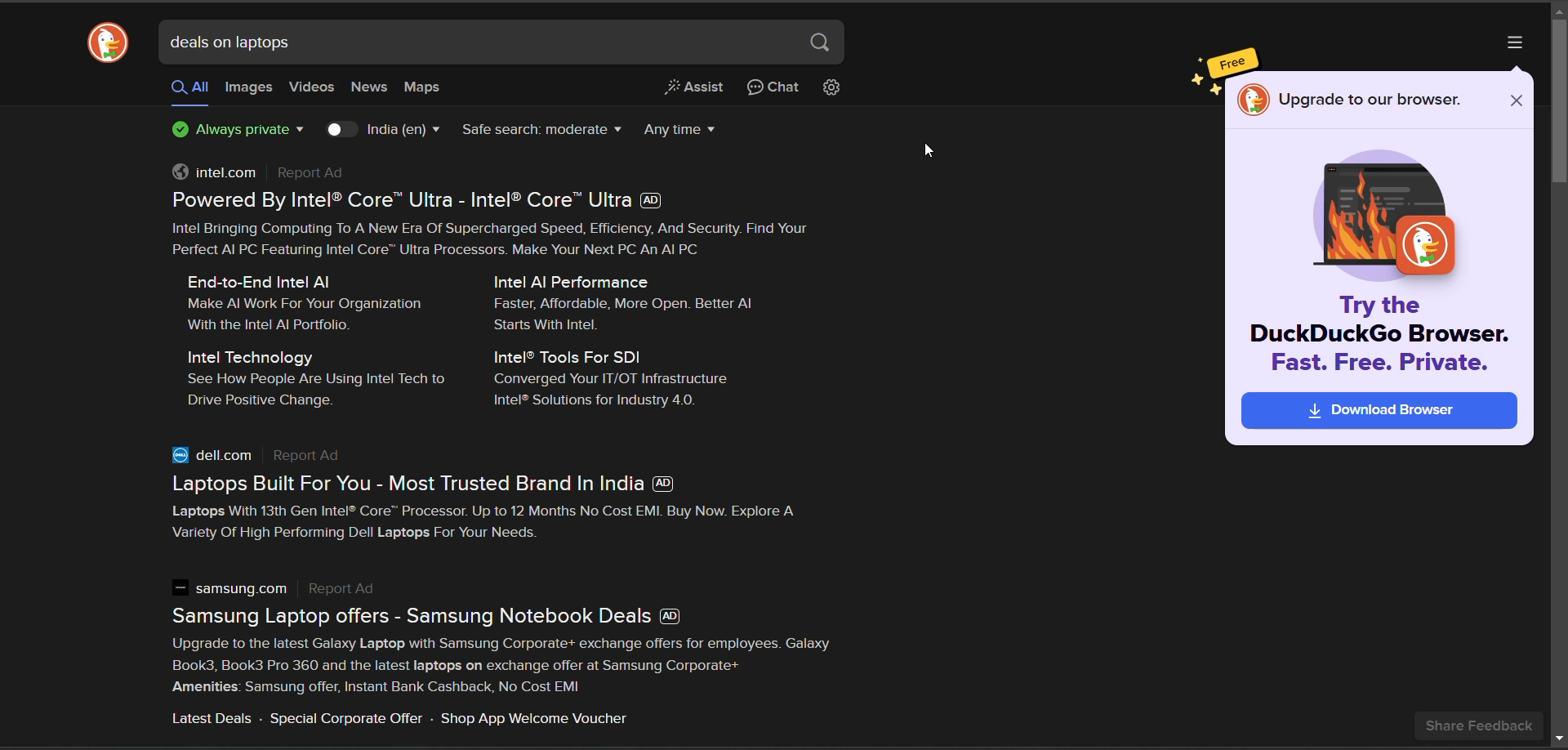 This screenshot has height=750, width=1568. I want to click on Laptops Built For You - Most Trusted Brand In India
Laptops With 13th Gen Intel® Core™ Processor. Up to 12 Months No Cost EMI. Buy Now. Explore A
Variety Of High Performing Dell Laptops For Your Needs., so click(500, 510).